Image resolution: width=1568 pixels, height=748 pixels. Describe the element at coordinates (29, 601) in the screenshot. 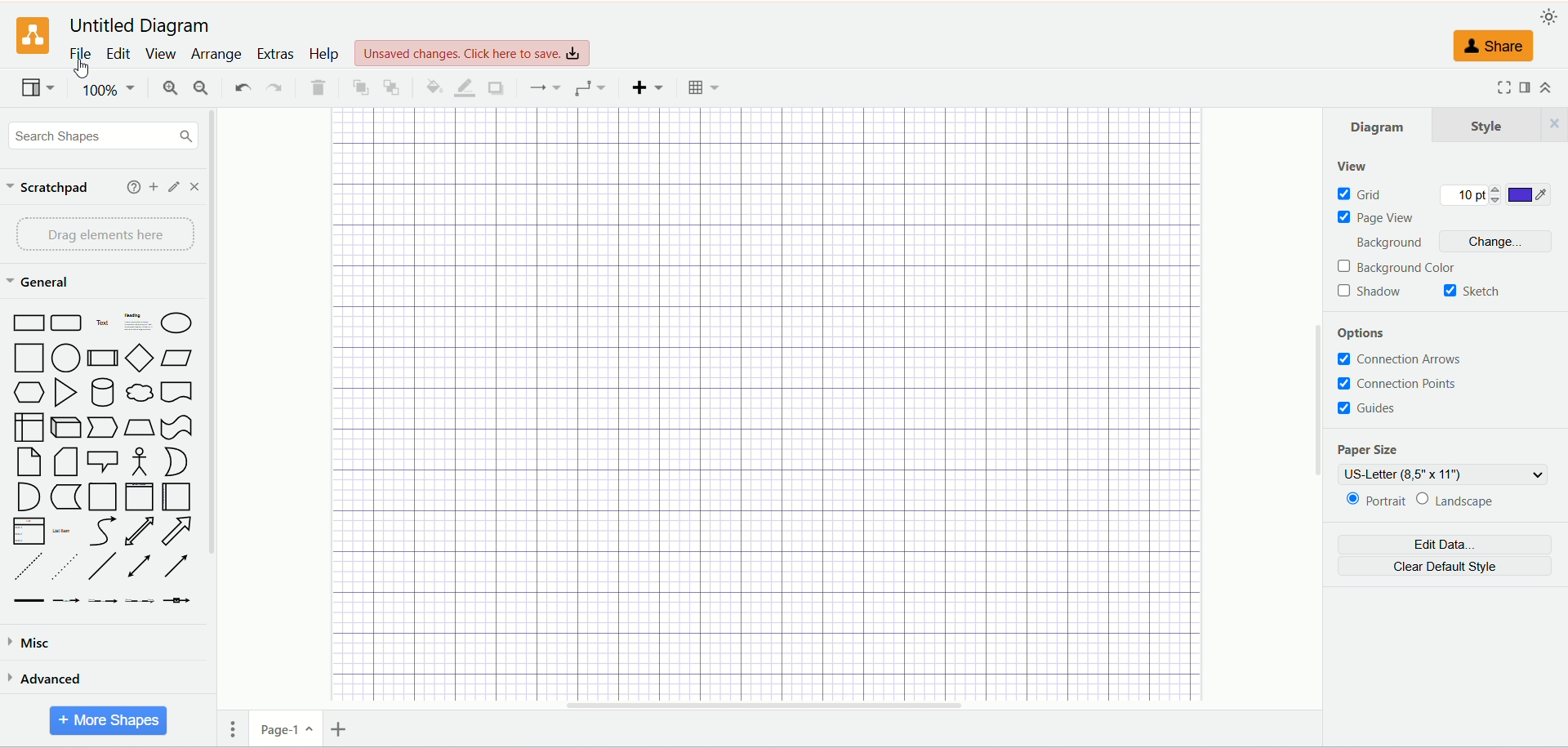

I see `Link` at that location.